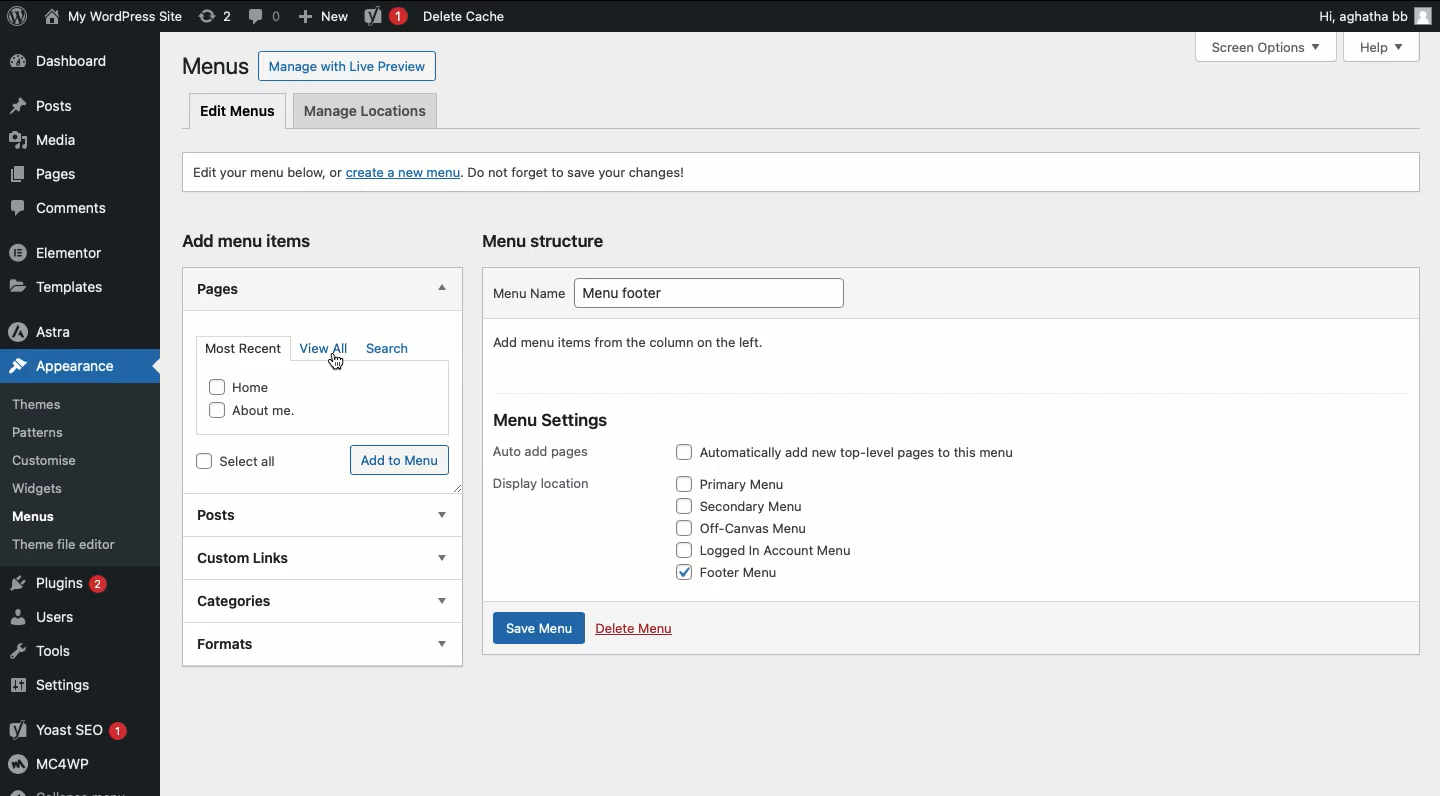  I want to click on About me., so click(278, 412).